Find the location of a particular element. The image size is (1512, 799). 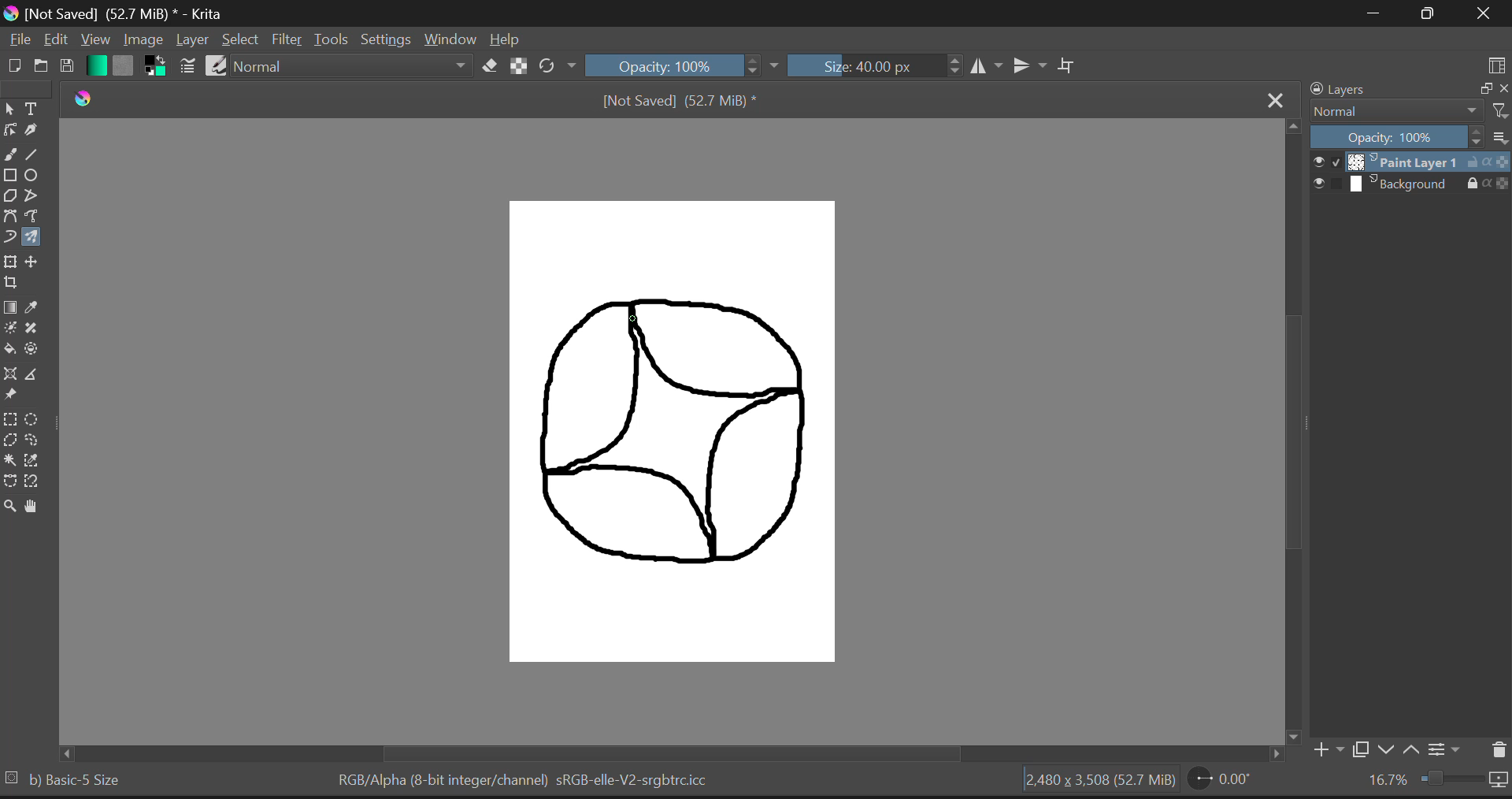

Move Layer is located at coordinates (35, 263).